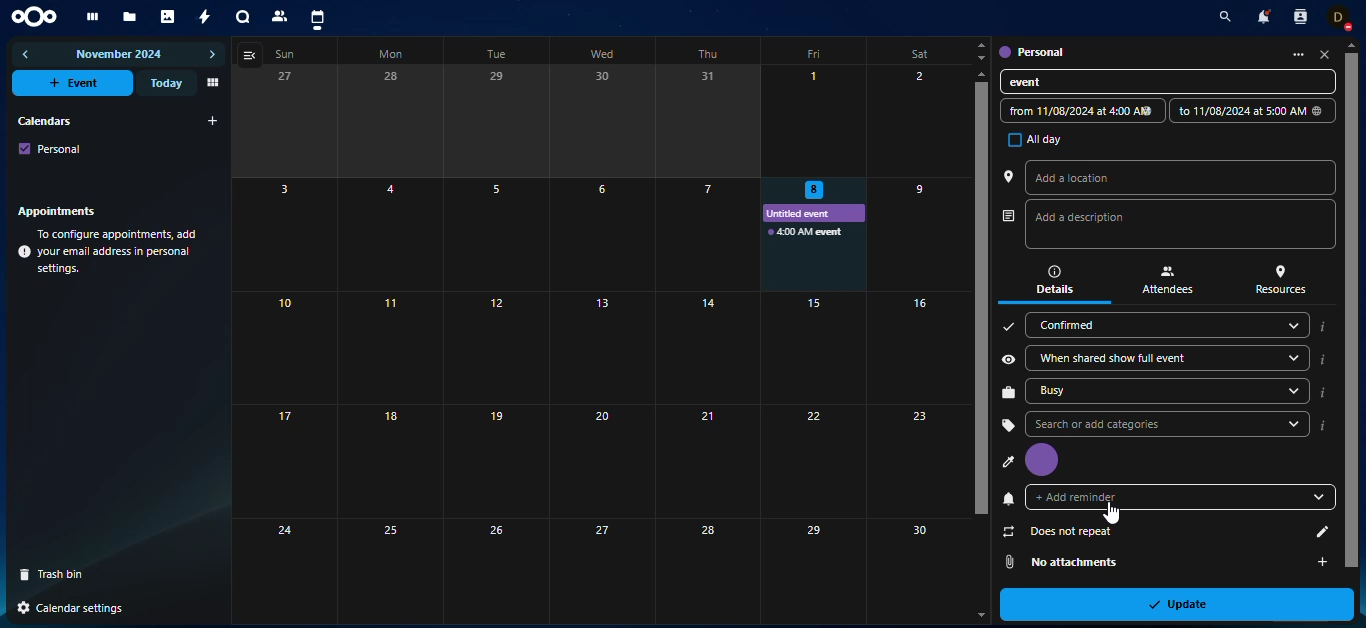 This screenshot has height=628, width=1366. I want to click on 23, so click(918, 460).